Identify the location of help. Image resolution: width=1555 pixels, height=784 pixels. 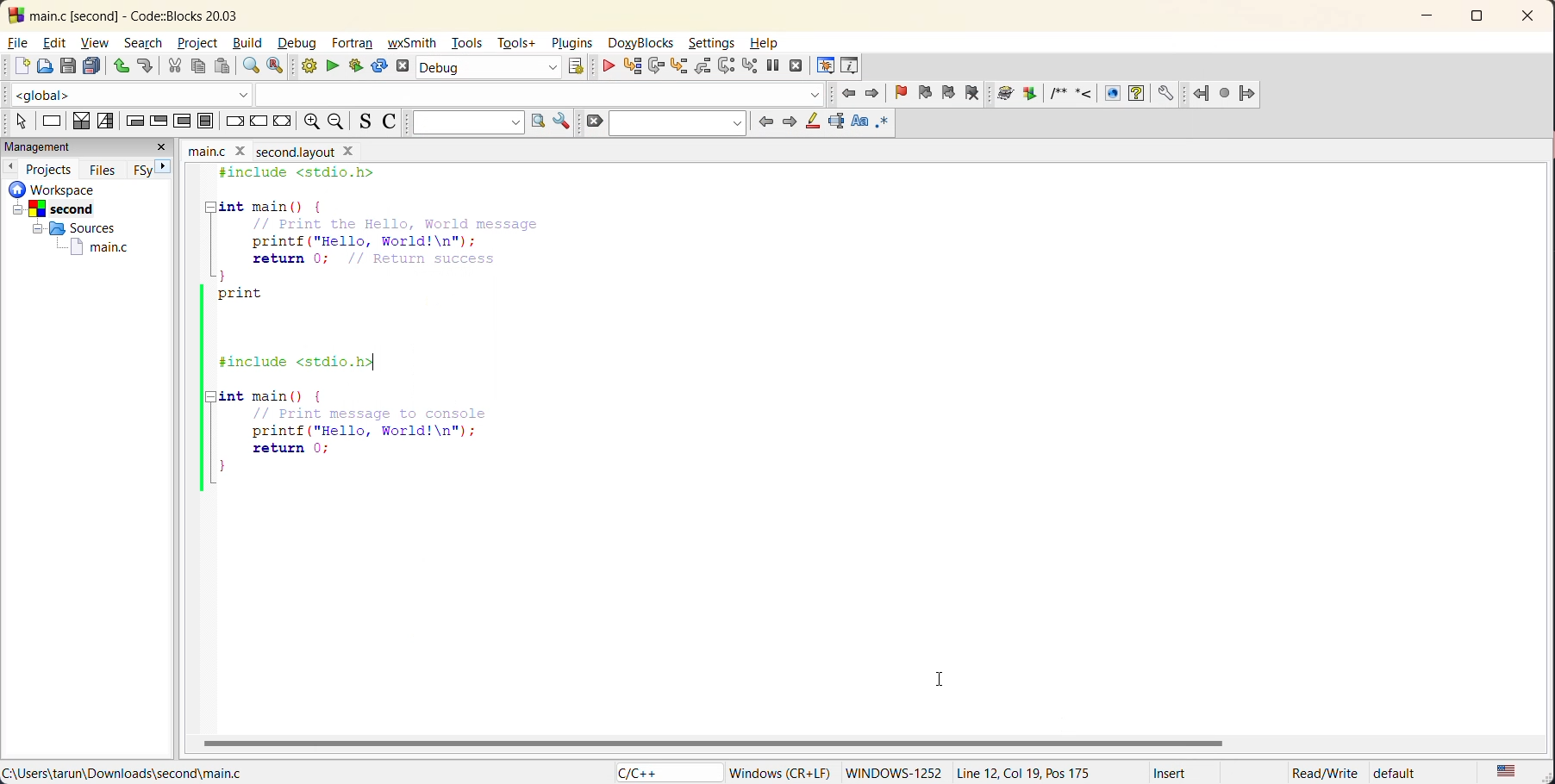
(770, 44).